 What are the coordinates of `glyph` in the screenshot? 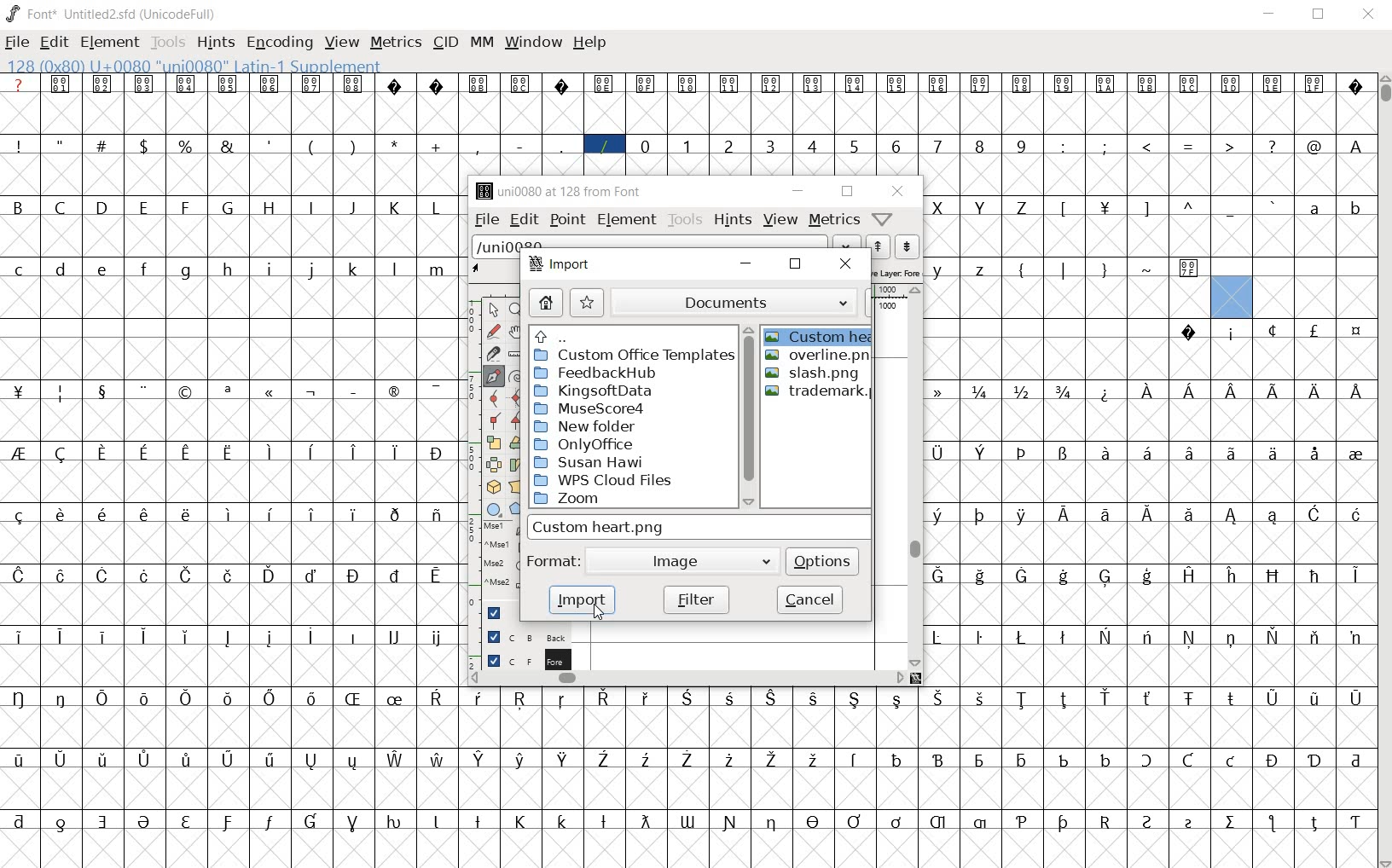 It's located at (855, 699).